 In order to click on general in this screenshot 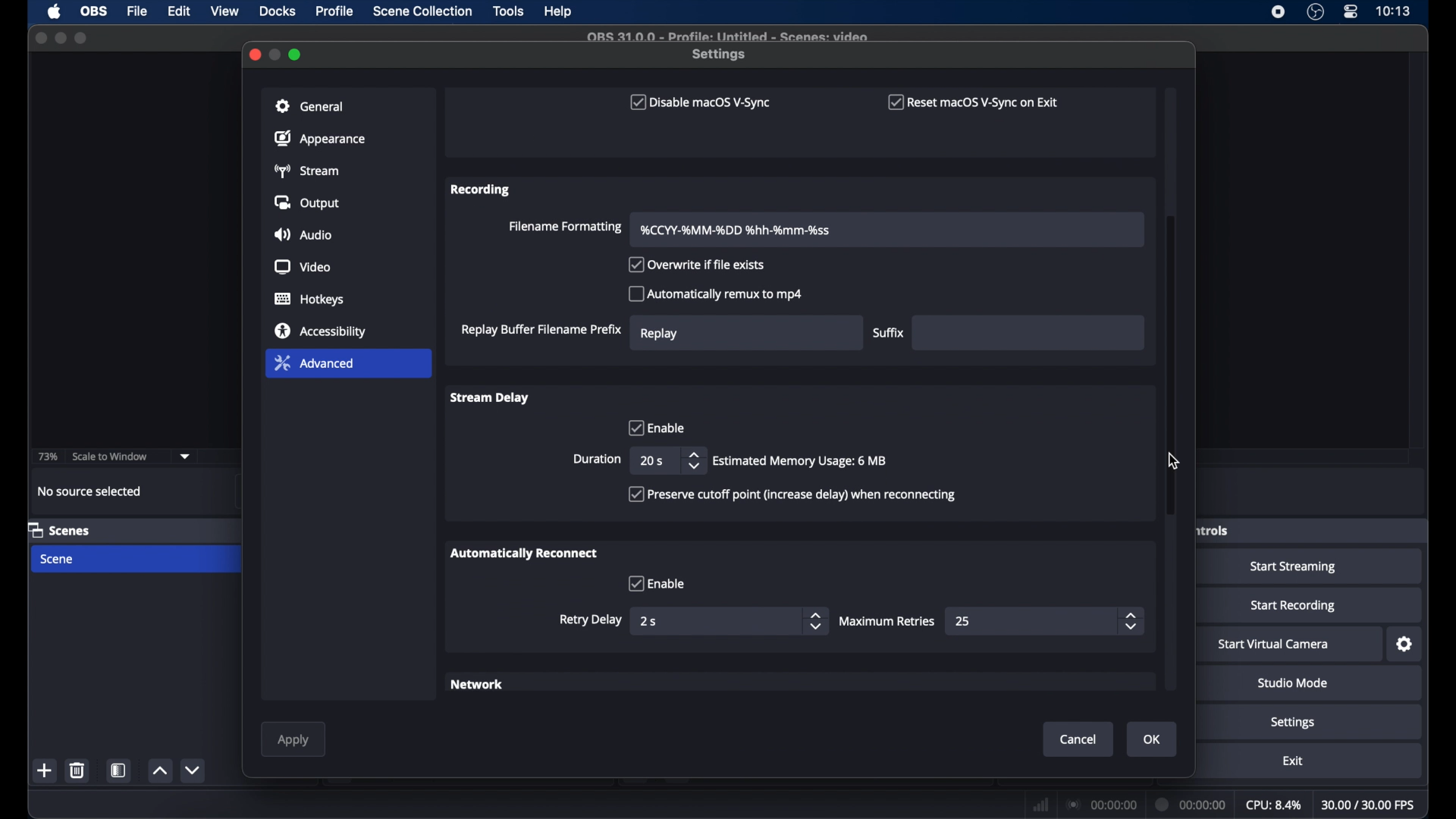, I will do `click(310, 106)`.